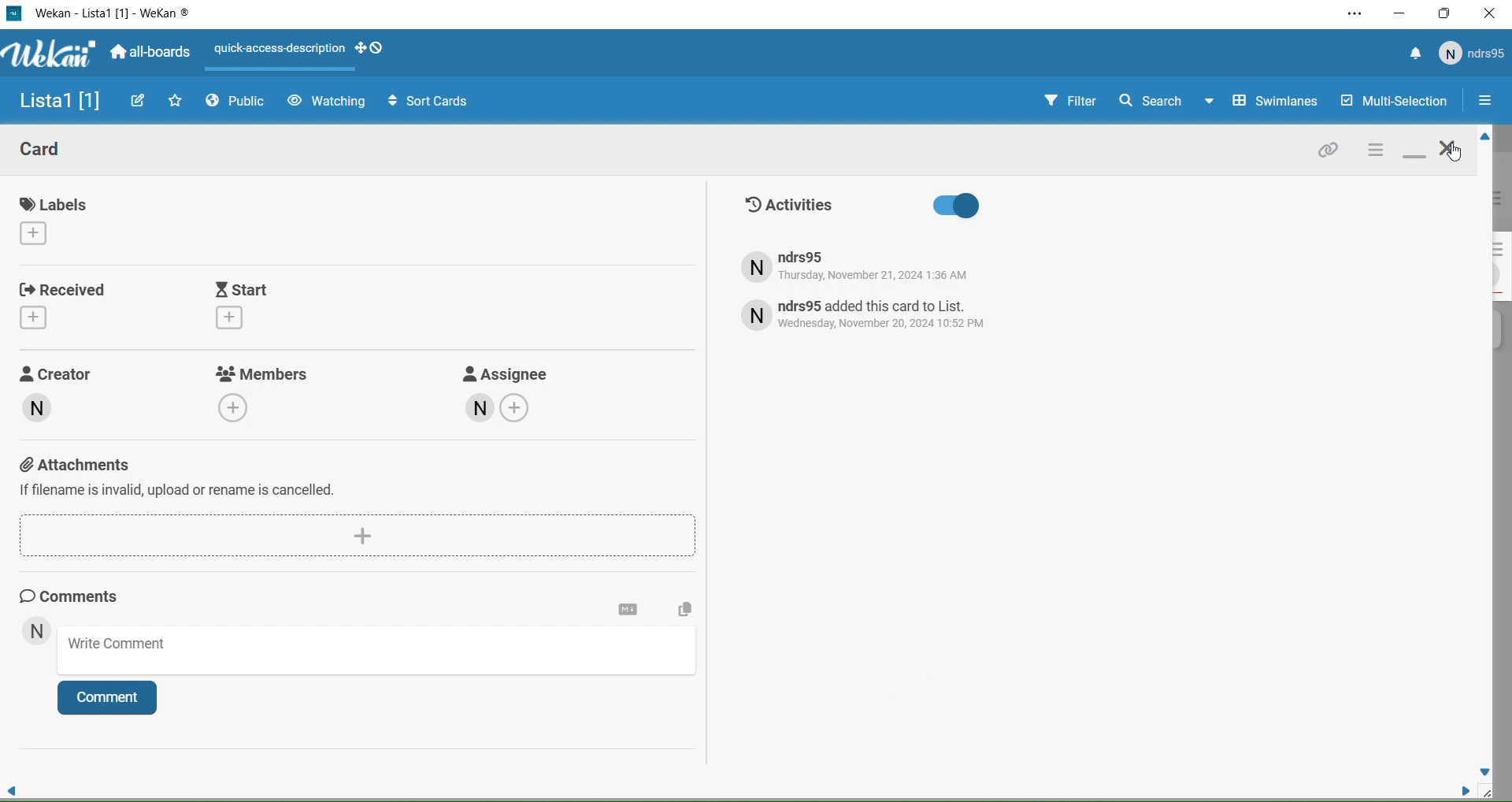 This screenshot has height=802, width=1512. Describe the element at coordinates (1485, 770) in the screenshot. I see `move down` at that location.